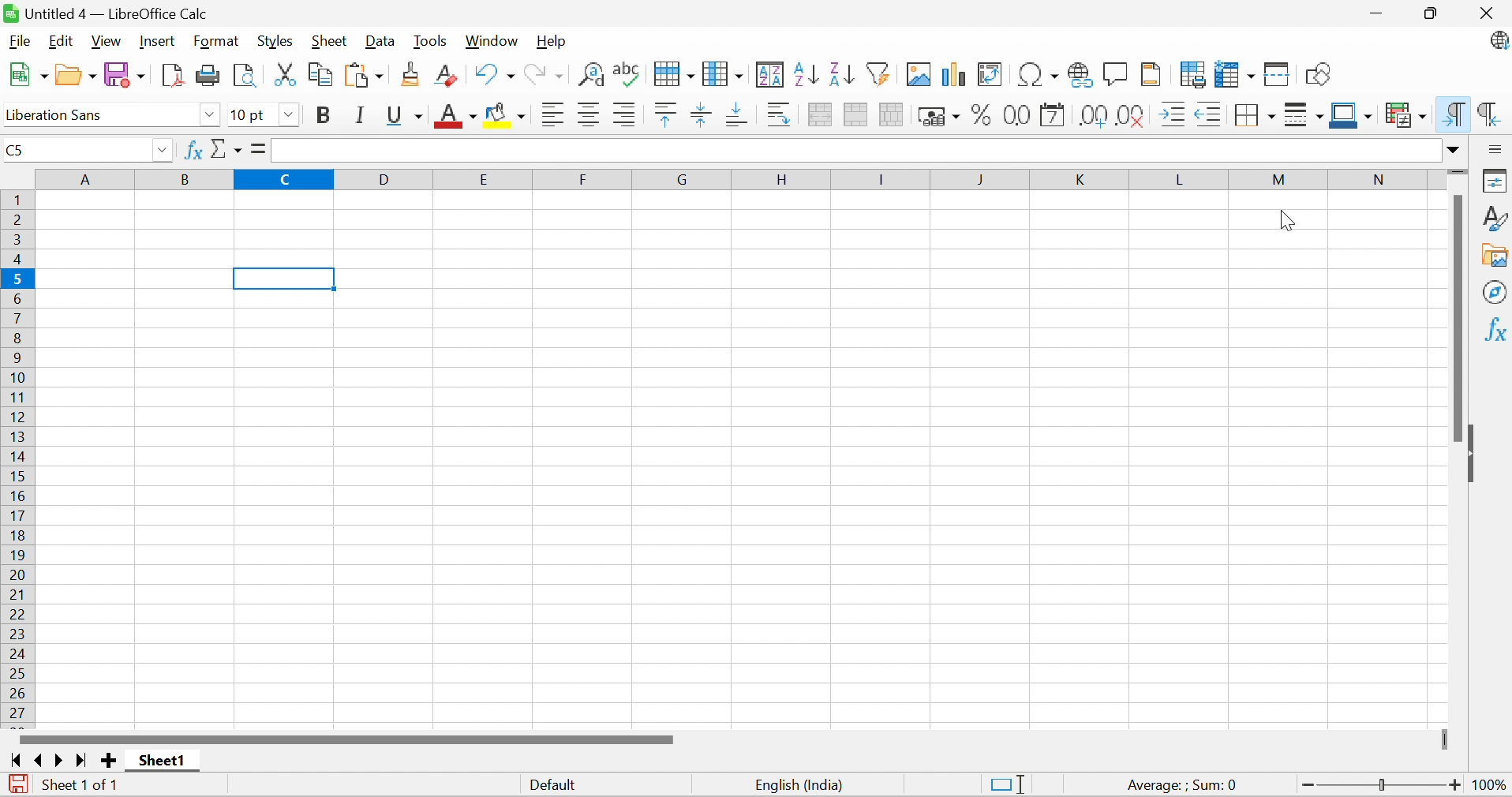 This screenshot has width=1512, height=797. What do you see at coordinates (362, 115) in the screenshot?
I see `Italic` at bounding box center [362, 115].